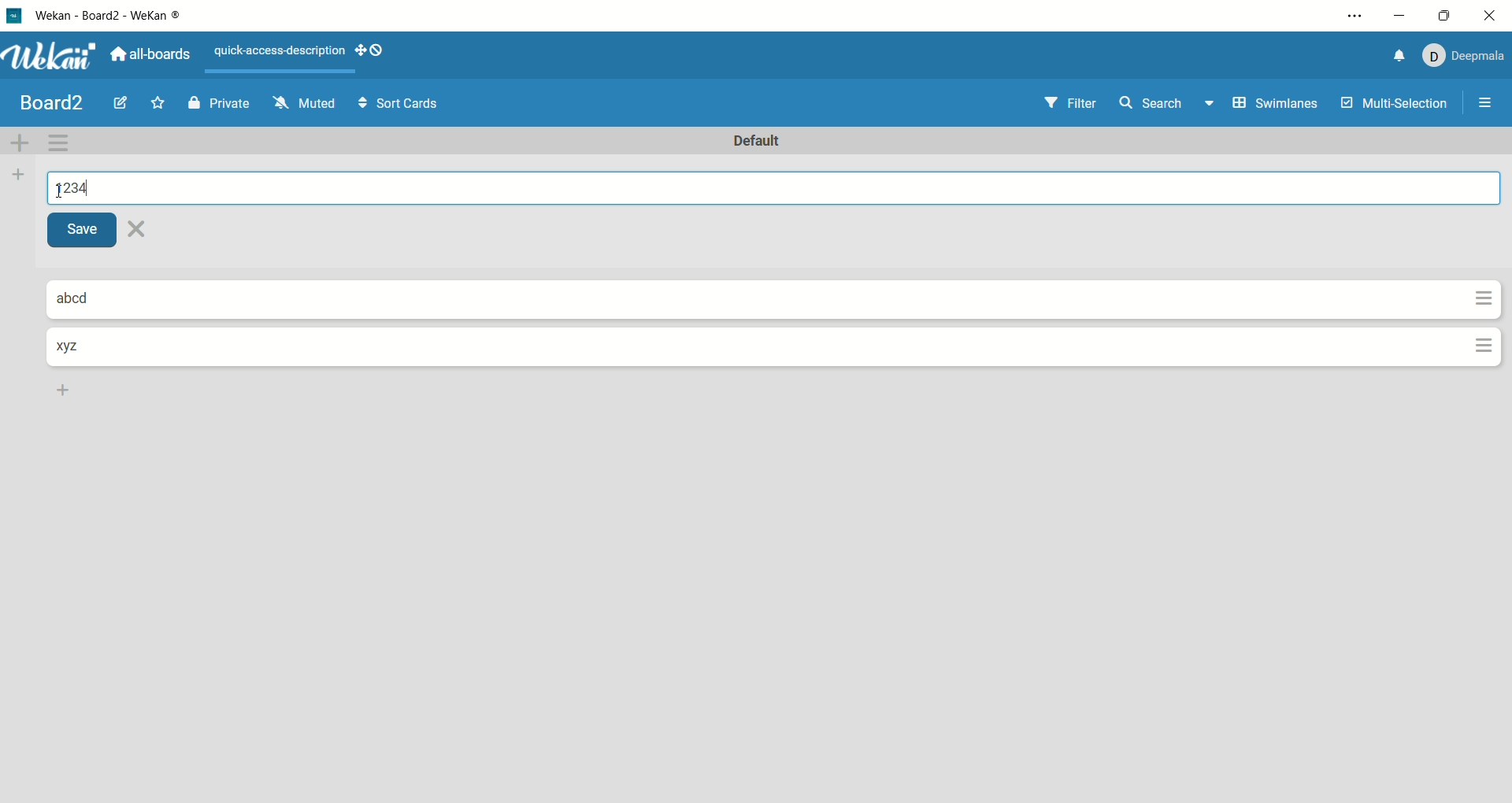 The width and height of the screenshot is (1512, 803). Describe the element at coordinates (13, 15) in the screenshot. I see `logo` at that location.